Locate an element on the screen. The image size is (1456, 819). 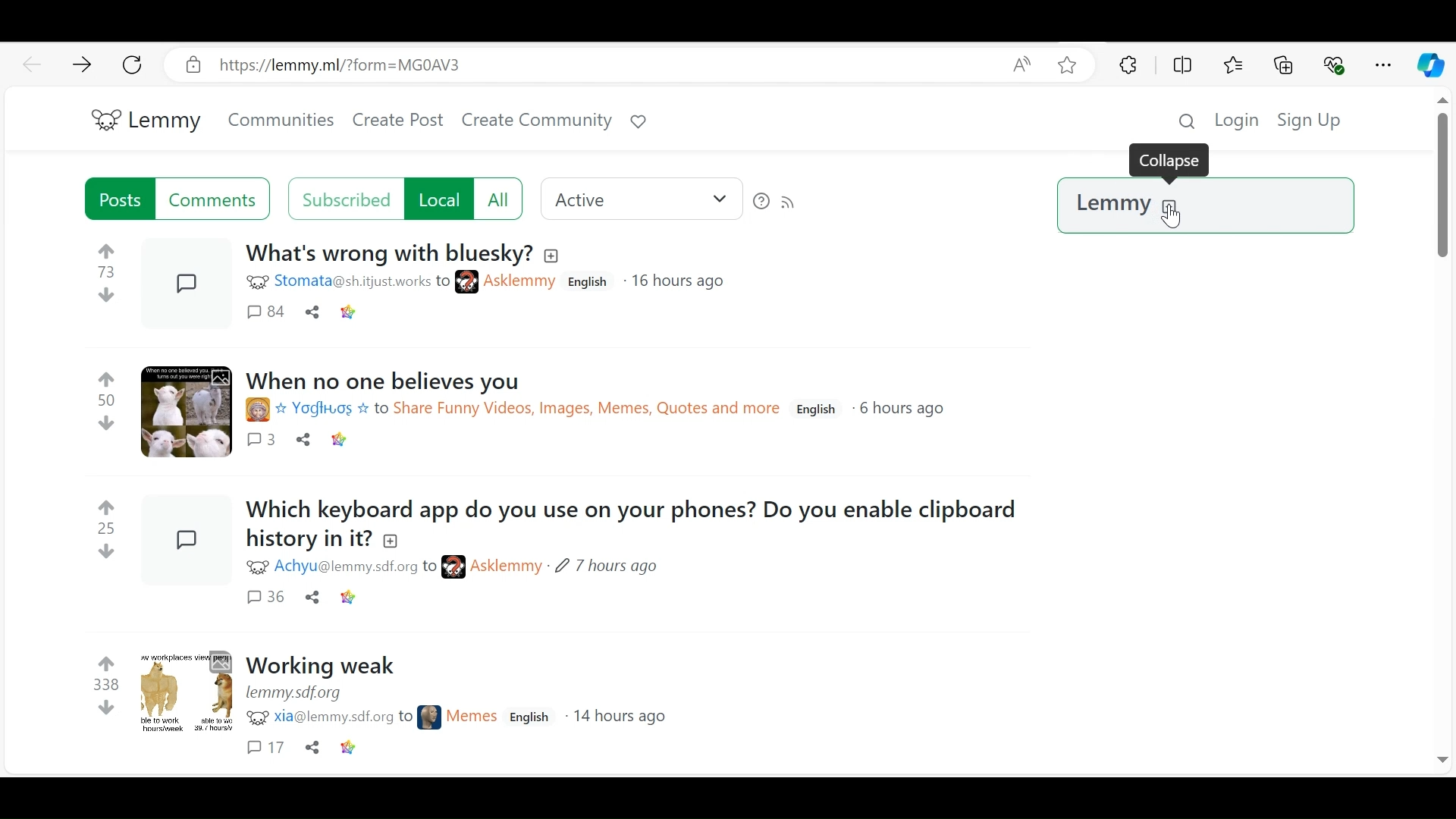
icon is located at coordinates (430, 716).